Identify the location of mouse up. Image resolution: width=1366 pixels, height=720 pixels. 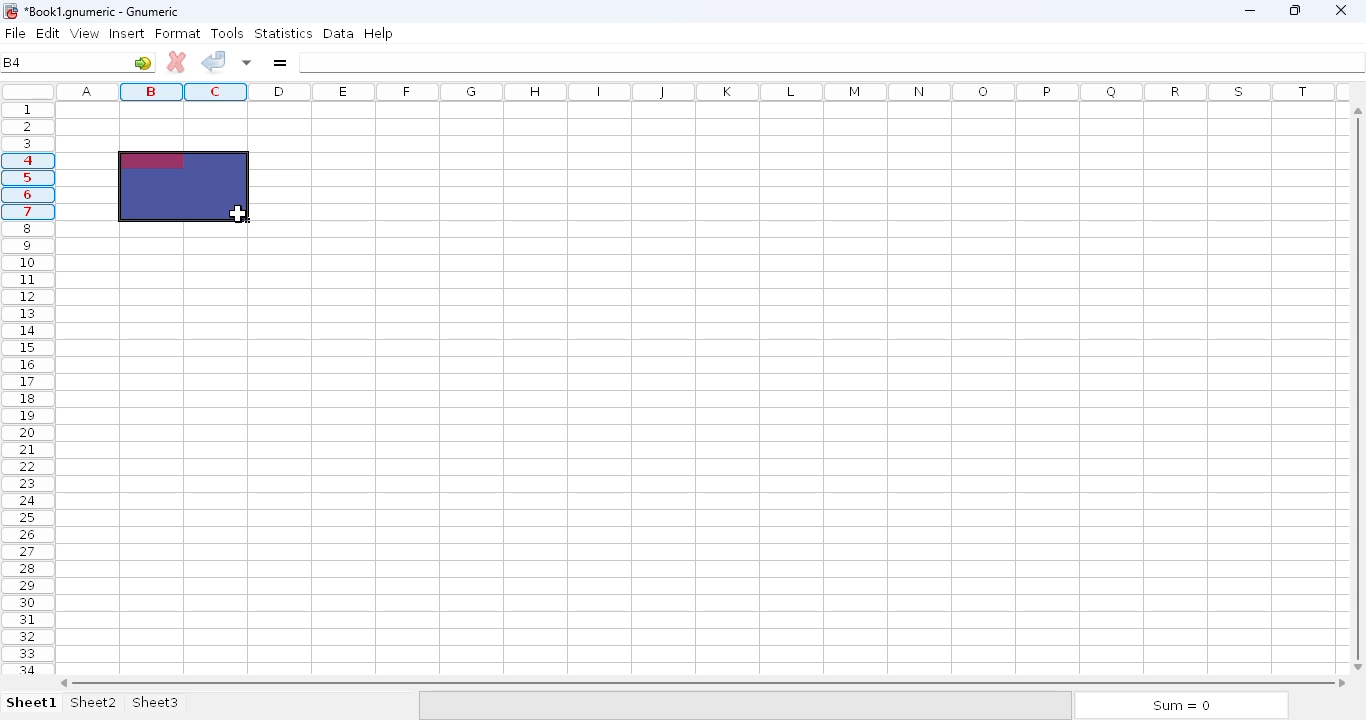
(237, 213).